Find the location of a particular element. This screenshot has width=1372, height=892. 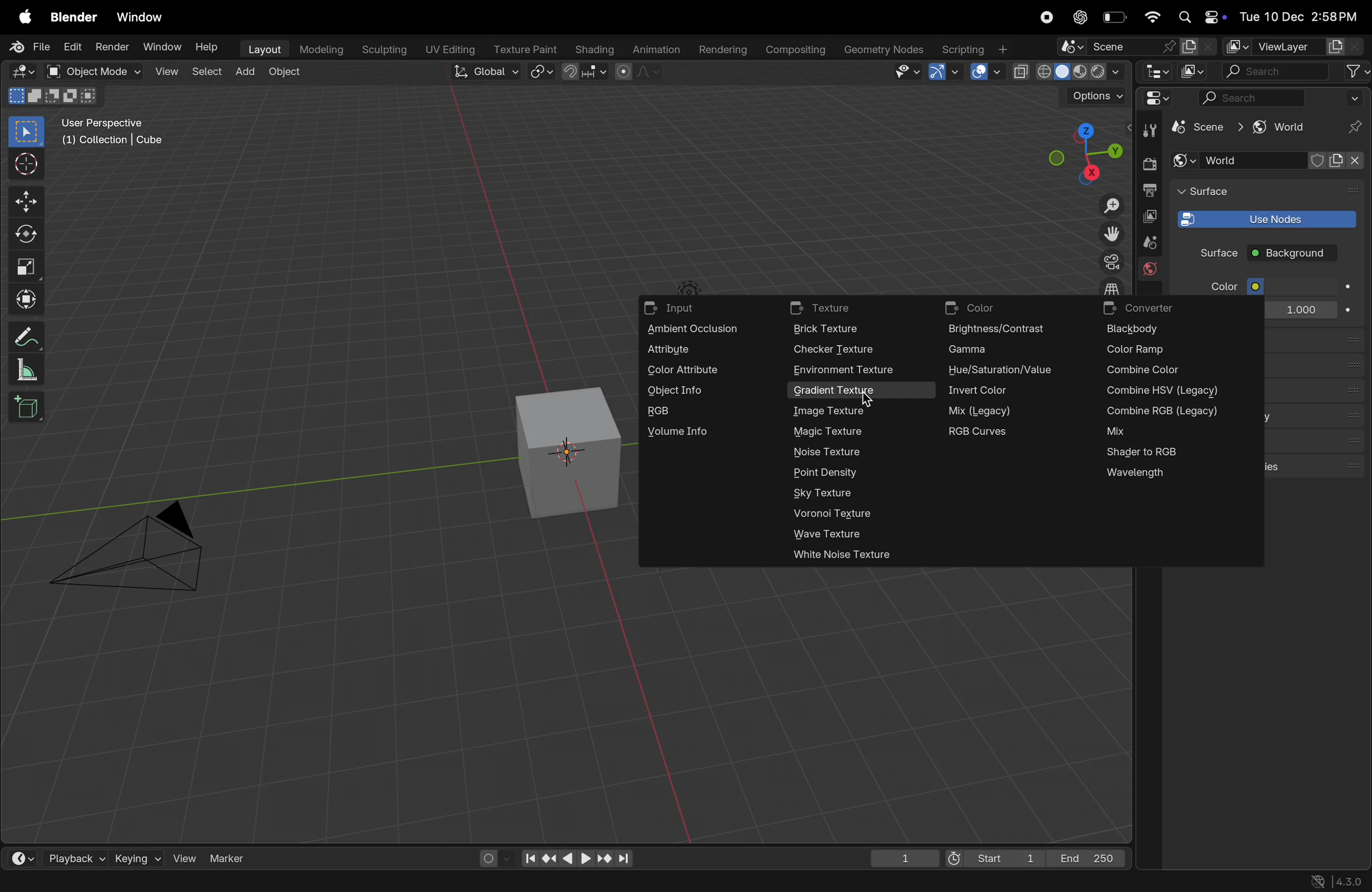

color is located at coordinates (1299, 286).